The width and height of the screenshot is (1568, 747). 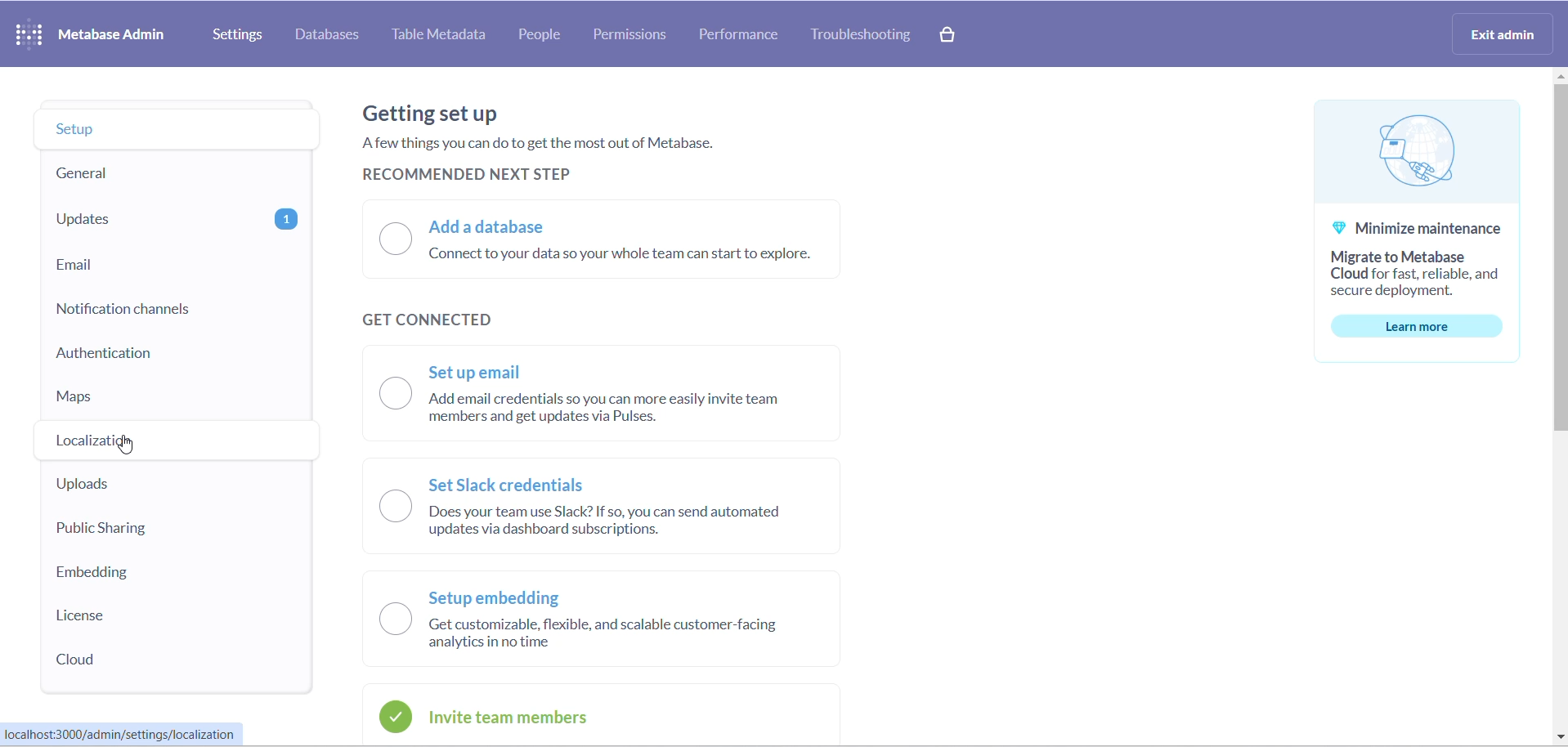 I want to click on CART, so click(x=950, y=37).